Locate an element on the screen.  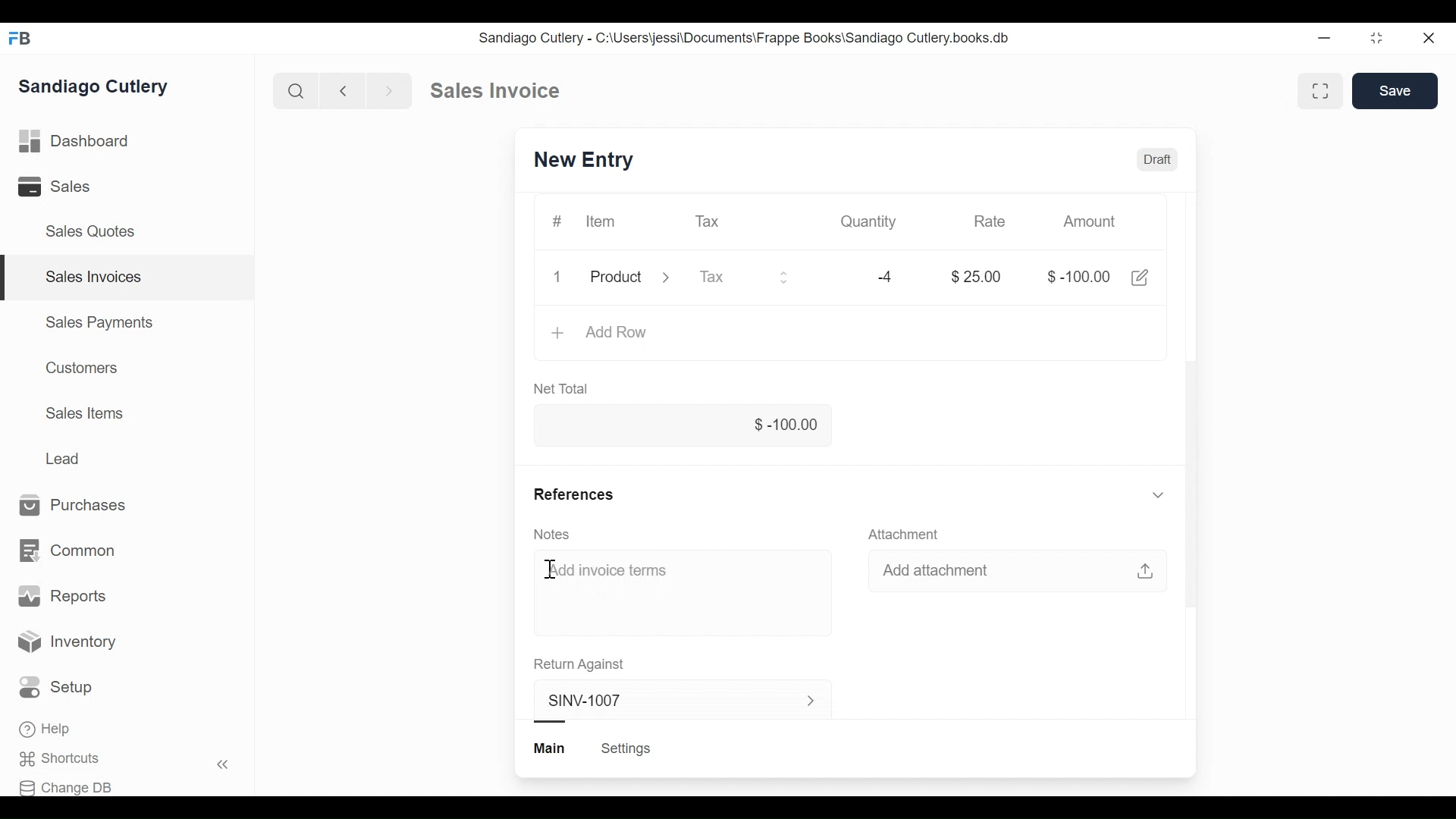
Net Total is located at coordinates (564, 388).